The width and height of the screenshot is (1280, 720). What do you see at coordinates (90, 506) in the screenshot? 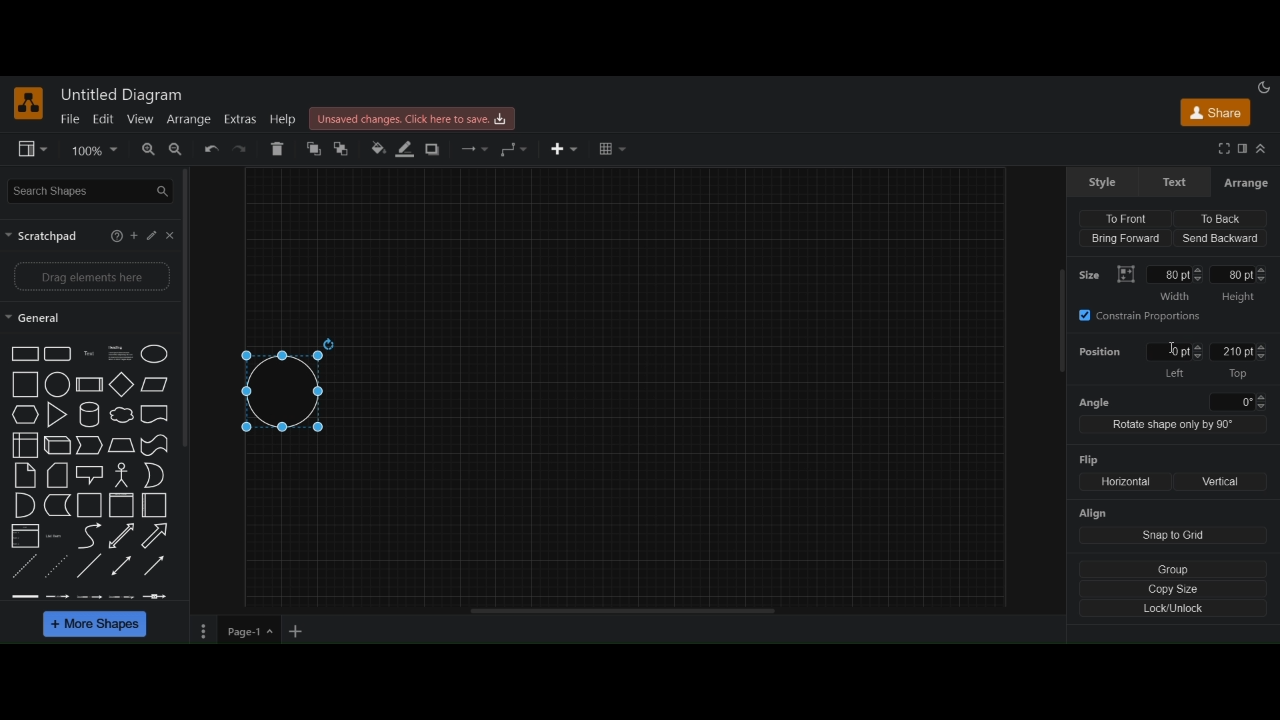
I see `Square` at bounding box center [90, 506].